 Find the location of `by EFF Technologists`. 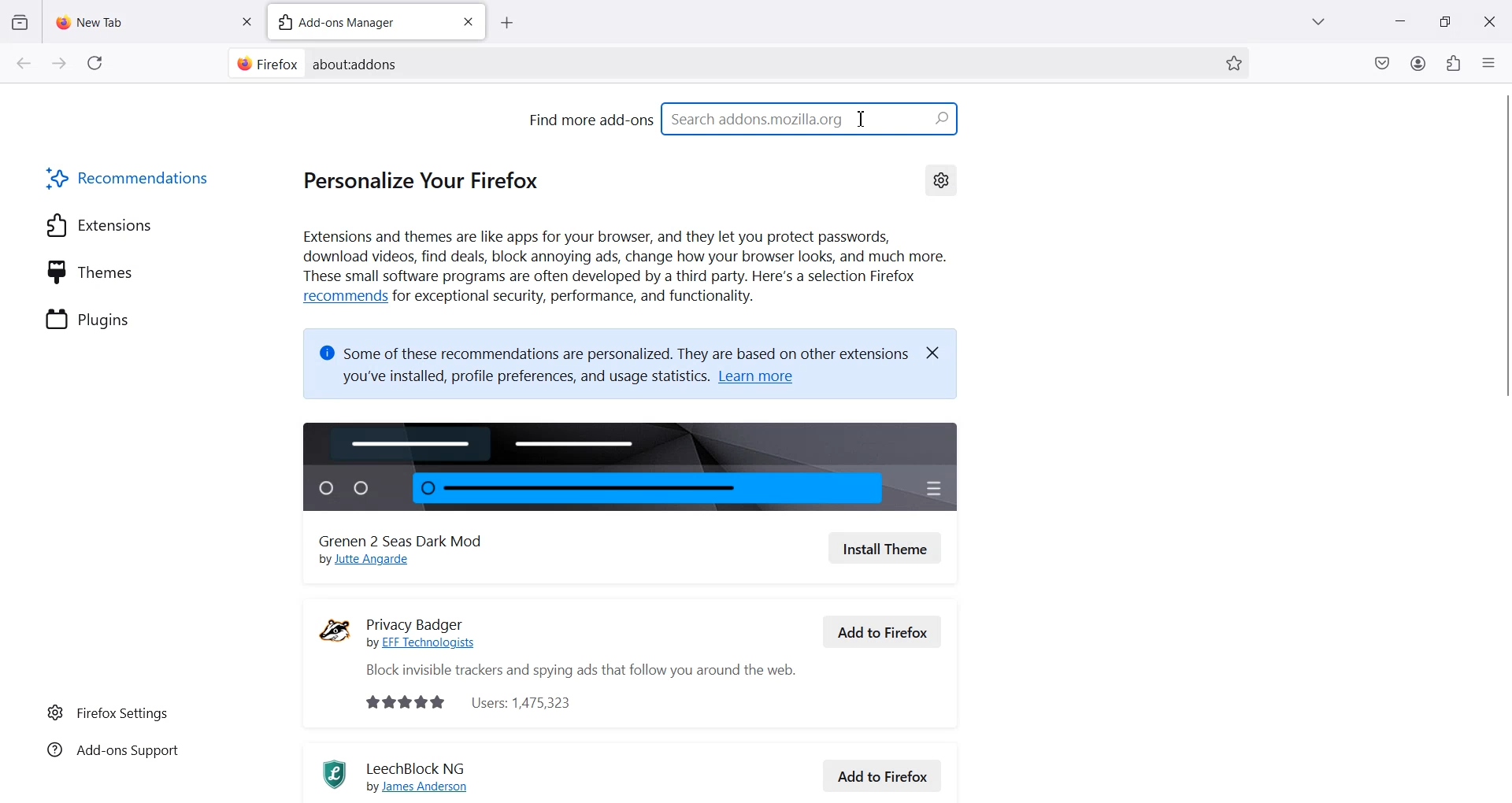

by EFF Technologists is located at coordinates (428, 643).